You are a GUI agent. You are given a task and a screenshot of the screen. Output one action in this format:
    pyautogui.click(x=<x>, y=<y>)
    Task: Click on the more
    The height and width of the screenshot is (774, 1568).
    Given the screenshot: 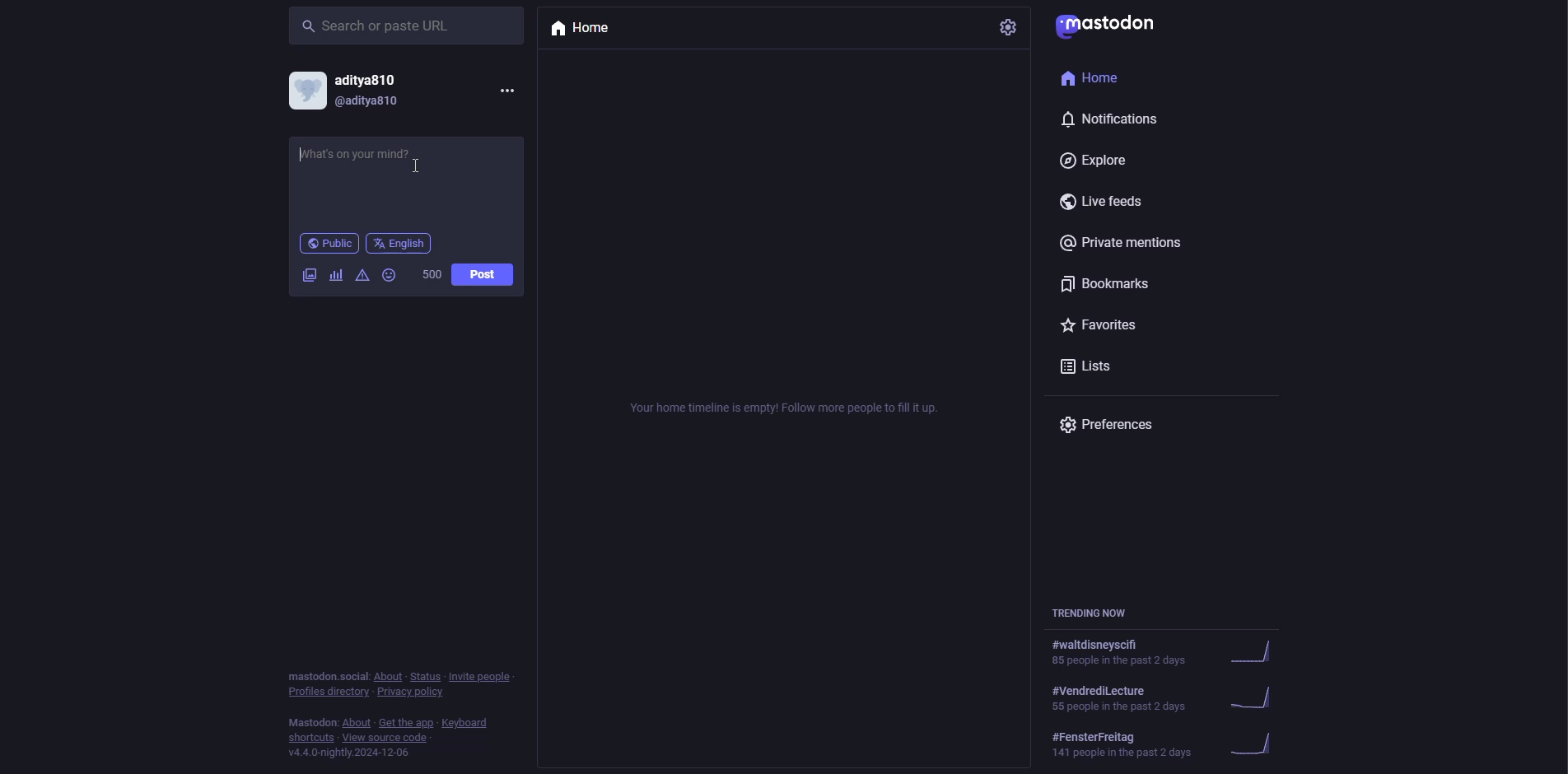 What is the action you would take?
    pyautogui.click(x=506, y=89)
    